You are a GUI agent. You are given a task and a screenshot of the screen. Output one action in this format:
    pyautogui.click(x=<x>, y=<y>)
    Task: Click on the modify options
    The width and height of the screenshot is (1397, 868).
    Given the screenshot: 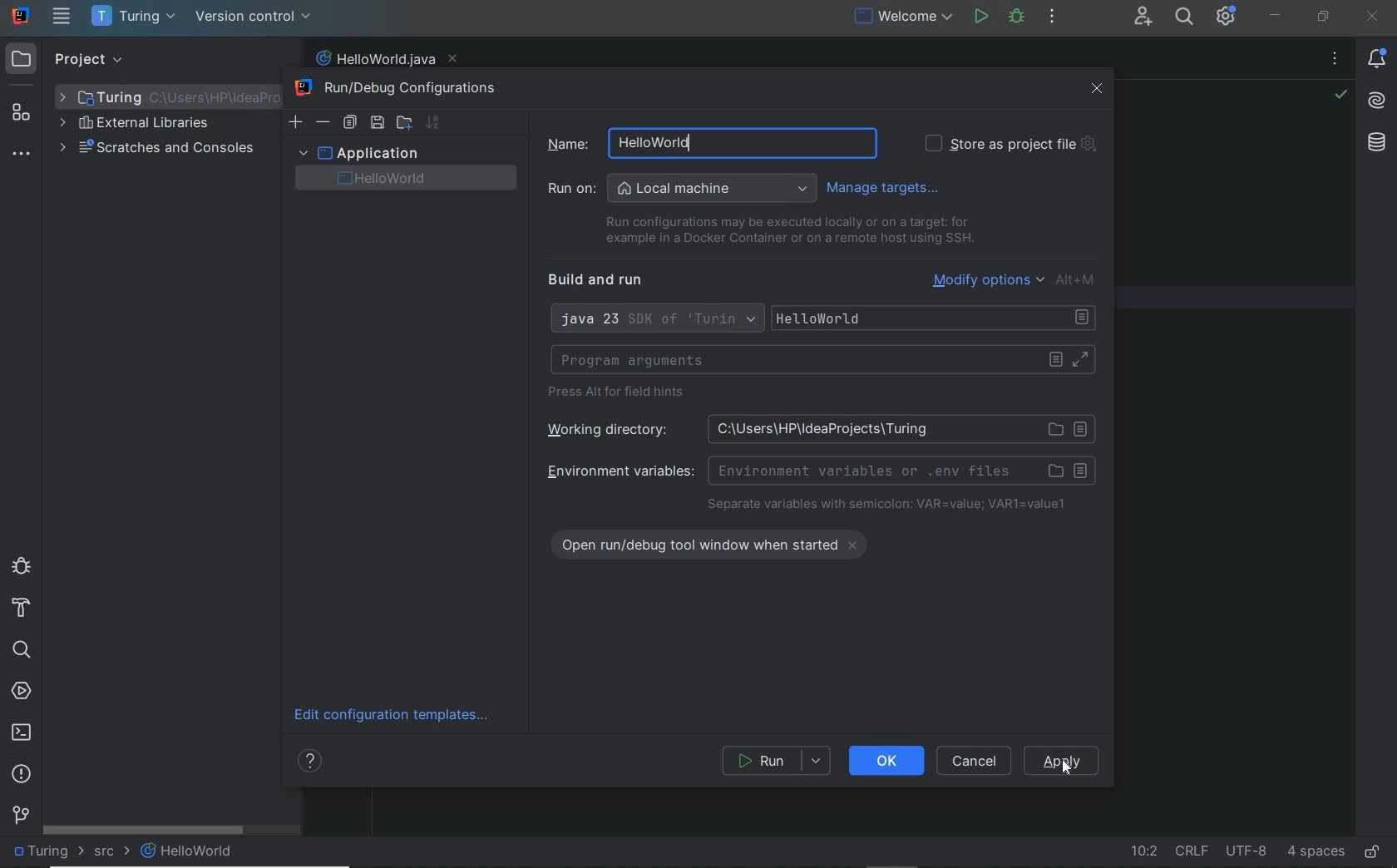 What is the action you would take?
    pyautogui.click(x=1016, y=279)
    